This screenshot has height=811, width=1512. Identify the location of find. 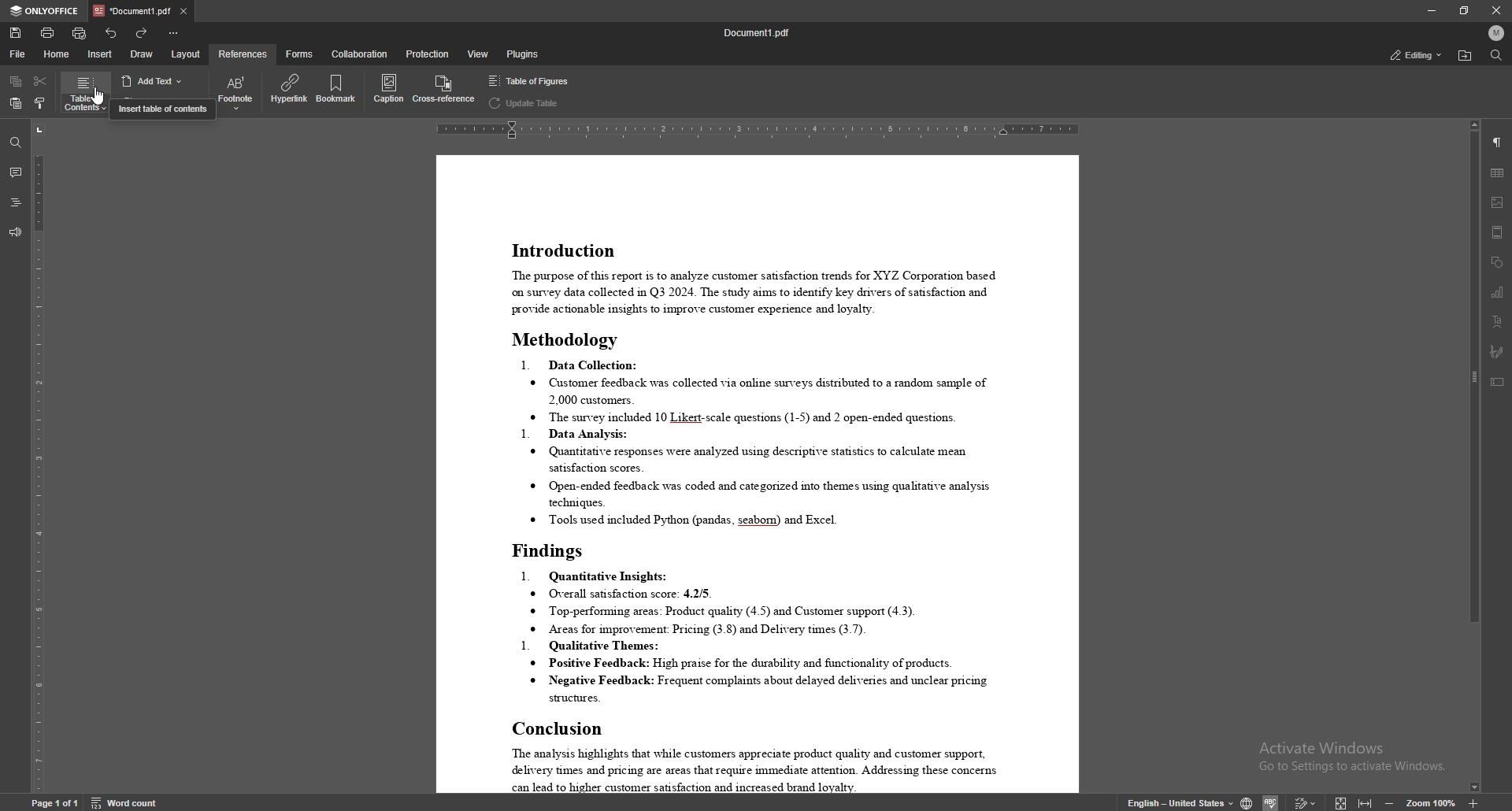
(1496, 55).